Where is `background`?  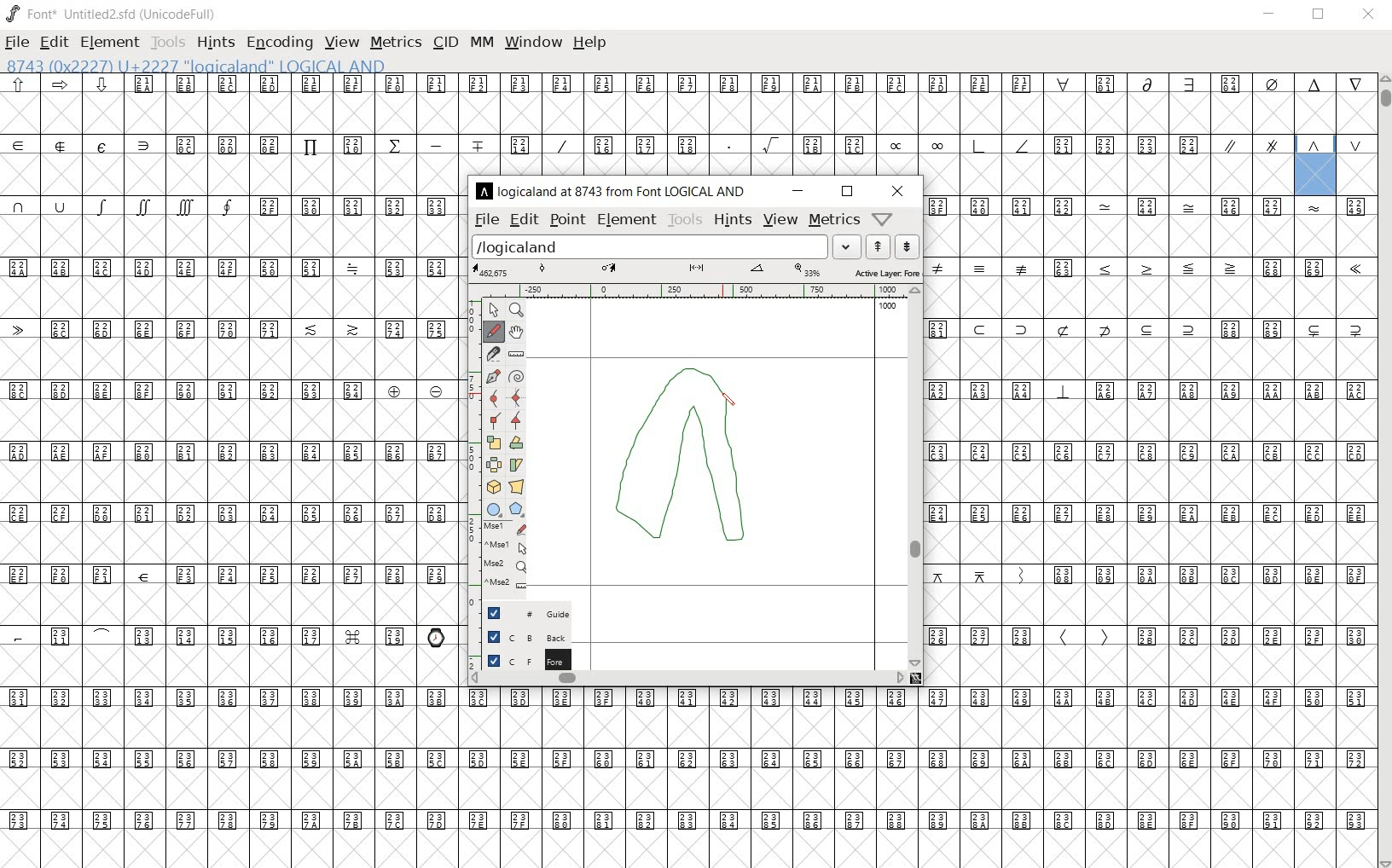
background is located at coordinates (519, 638).